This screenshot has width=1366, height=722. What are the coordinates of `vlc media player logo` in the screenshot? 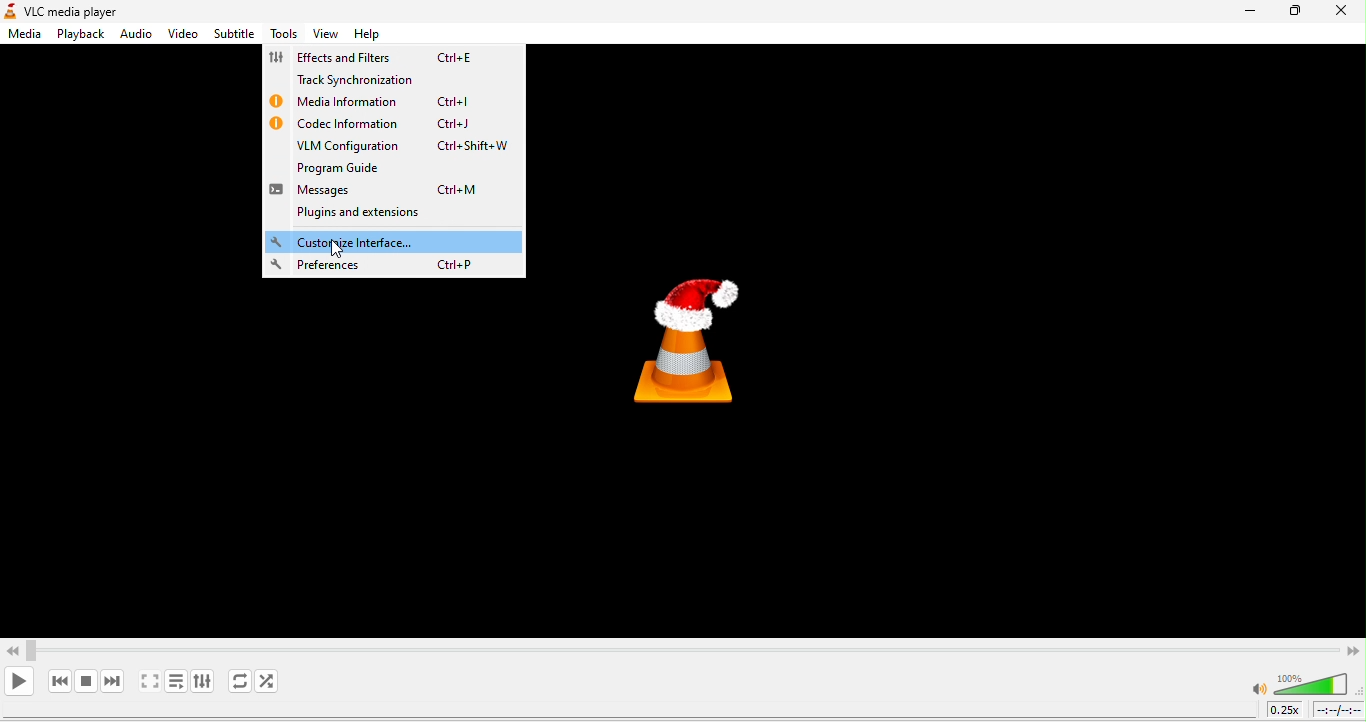 It's located at (715, 335).